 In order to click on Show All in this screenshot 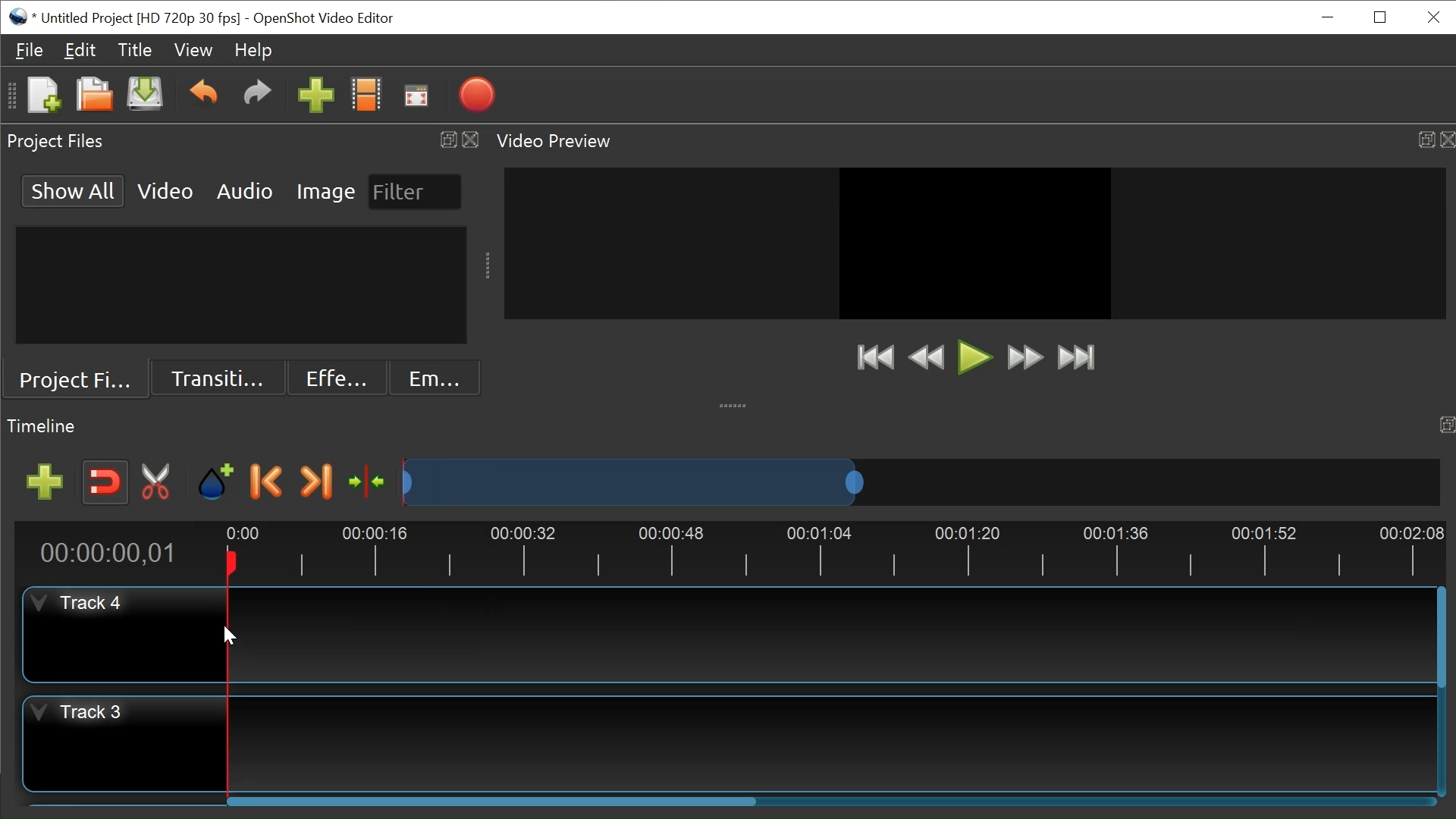, I will do `click(74, 190)`.